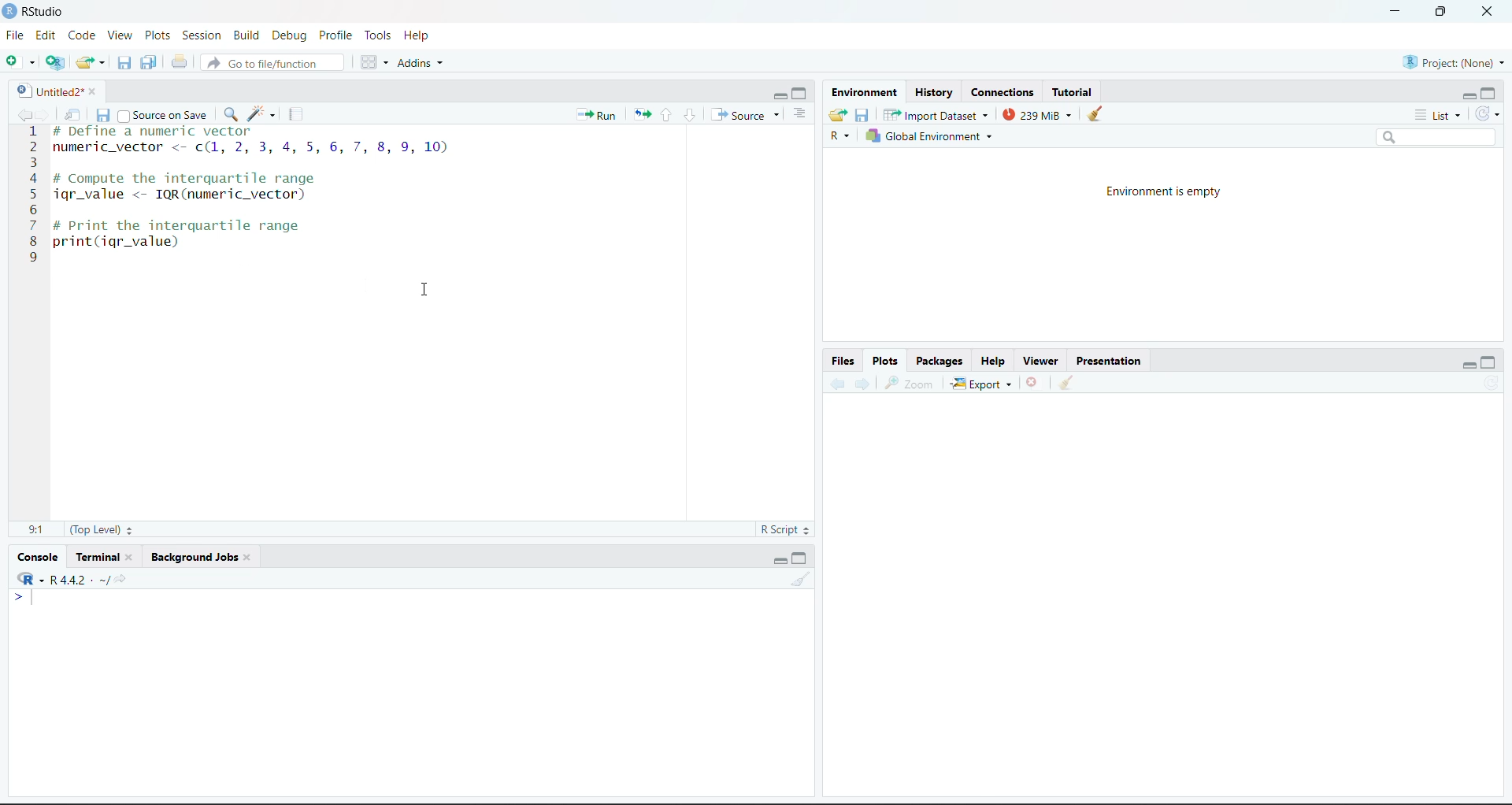 This screenshot has height=805, width=1512. What do you see at coordinates (91, 60) in the screenshot?
I see `Open an existing file (Ctrl + O)` at bounding box center [91, 60].